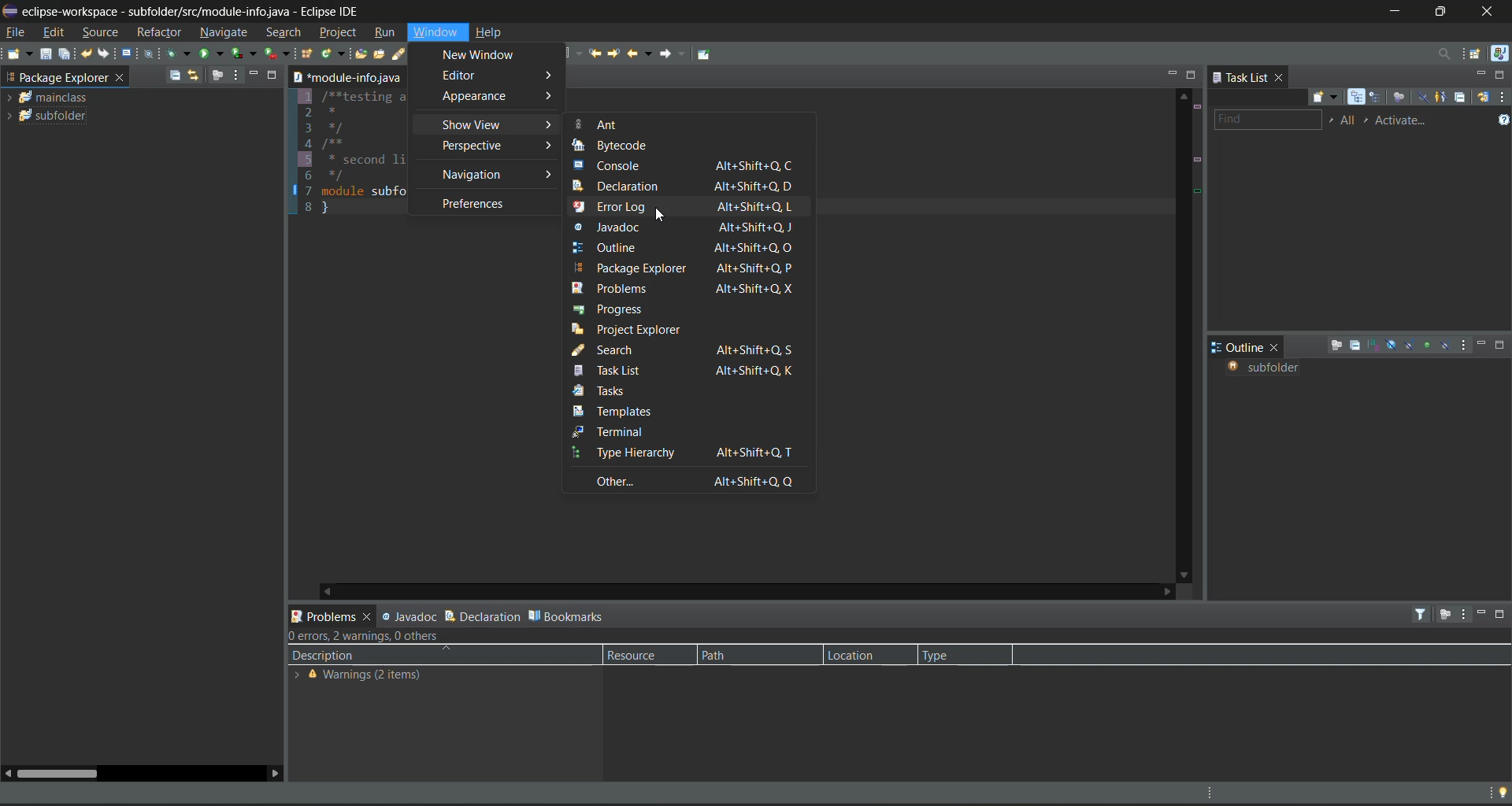 This screenshot has width=1512, height=806. I want to click on refractor, so click(159, 31).